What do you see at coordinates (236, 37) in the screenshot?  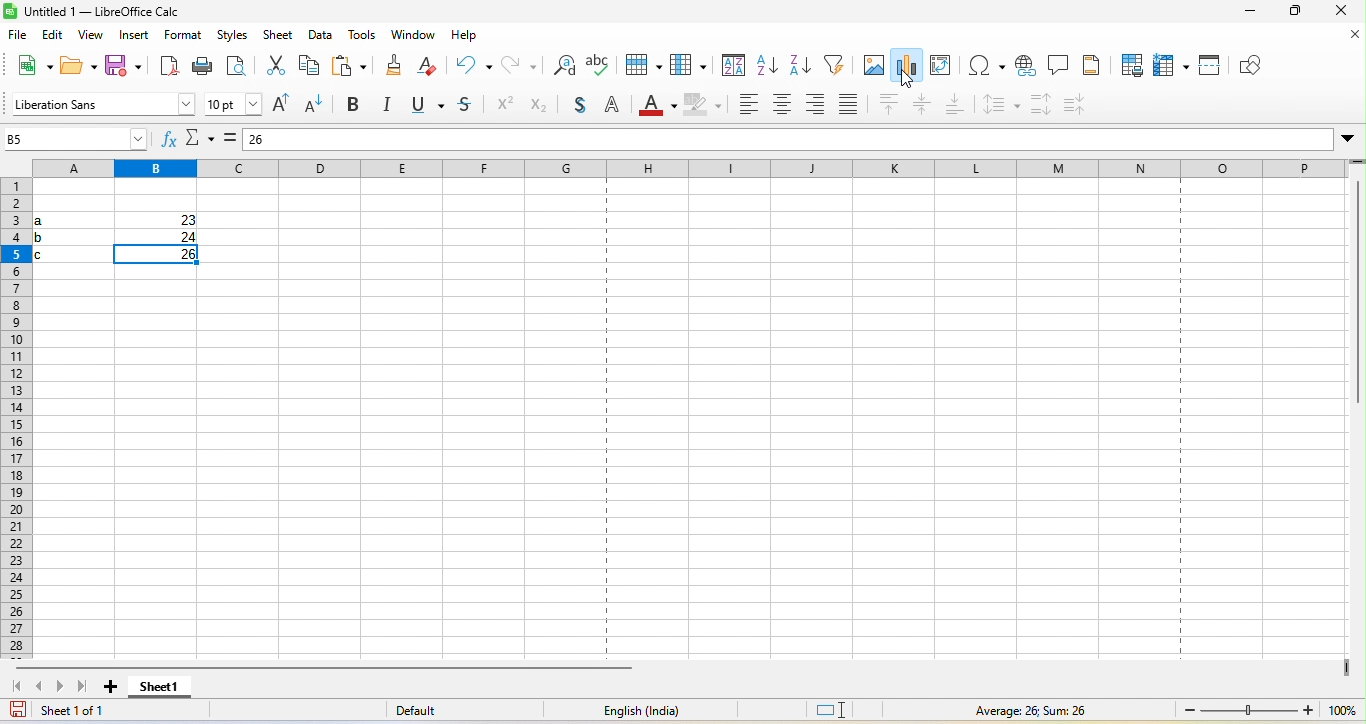 I see `styles` at bounding box center [236, 37].